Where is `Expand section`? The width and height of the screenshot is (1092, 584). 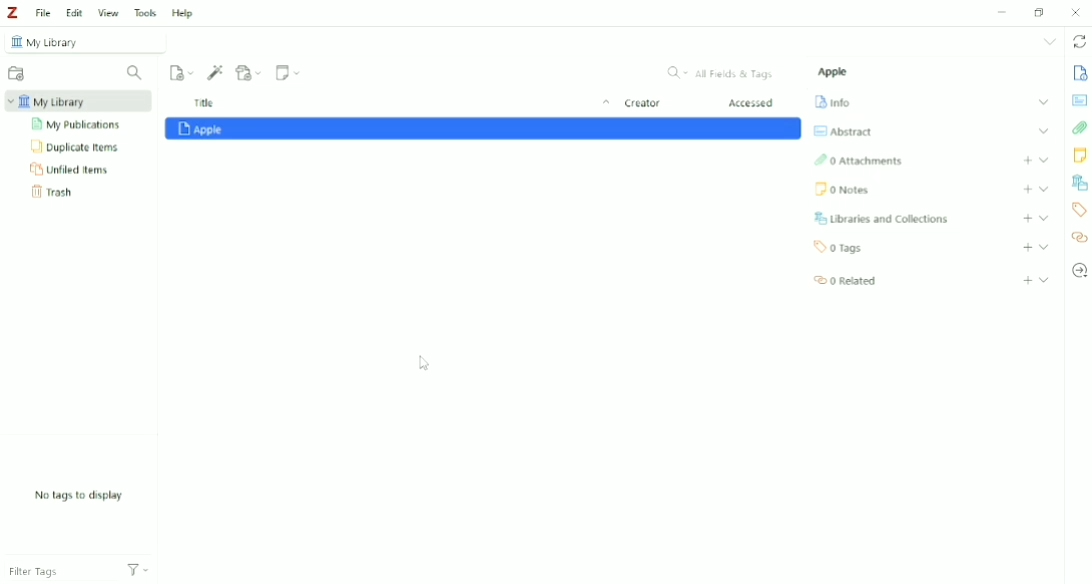
Expand section is located at coordinates (1043, 159).